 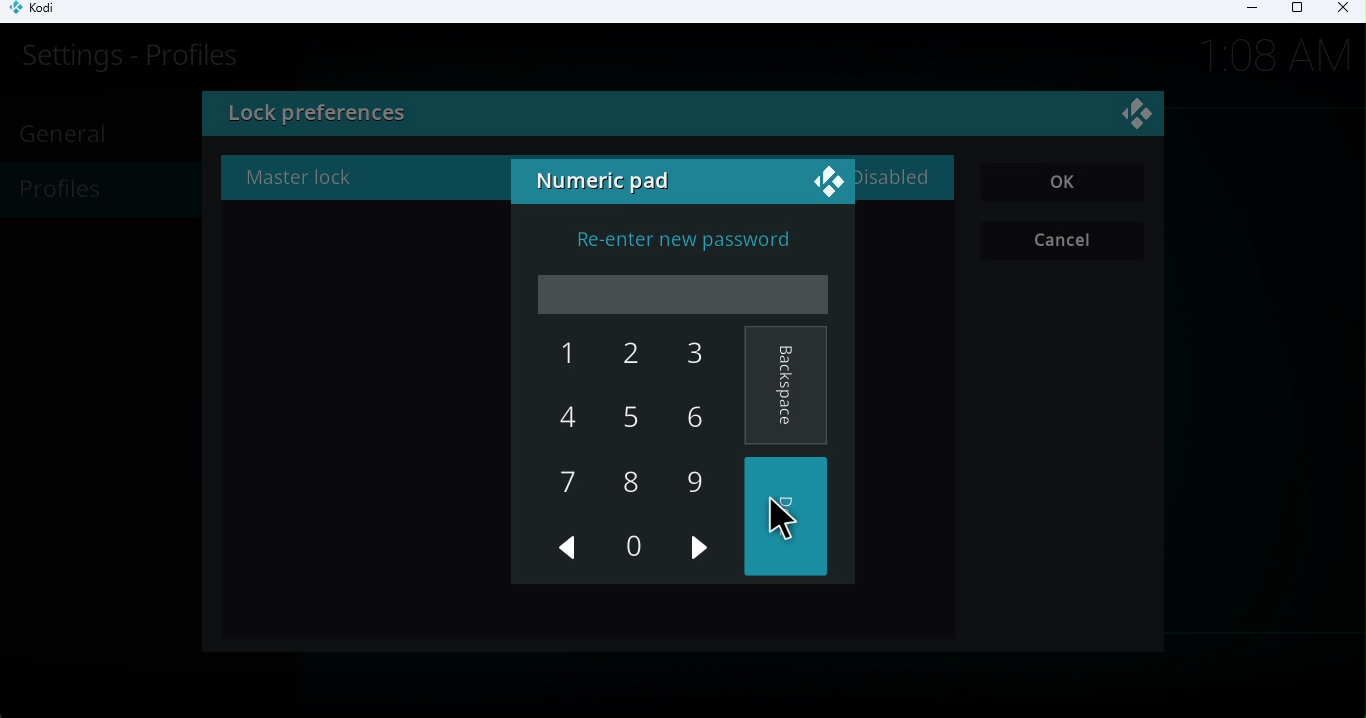 What do you see at coordinates (1064, 183) in the screenshot?
I see `OK` at bounding box center [1064, 183].